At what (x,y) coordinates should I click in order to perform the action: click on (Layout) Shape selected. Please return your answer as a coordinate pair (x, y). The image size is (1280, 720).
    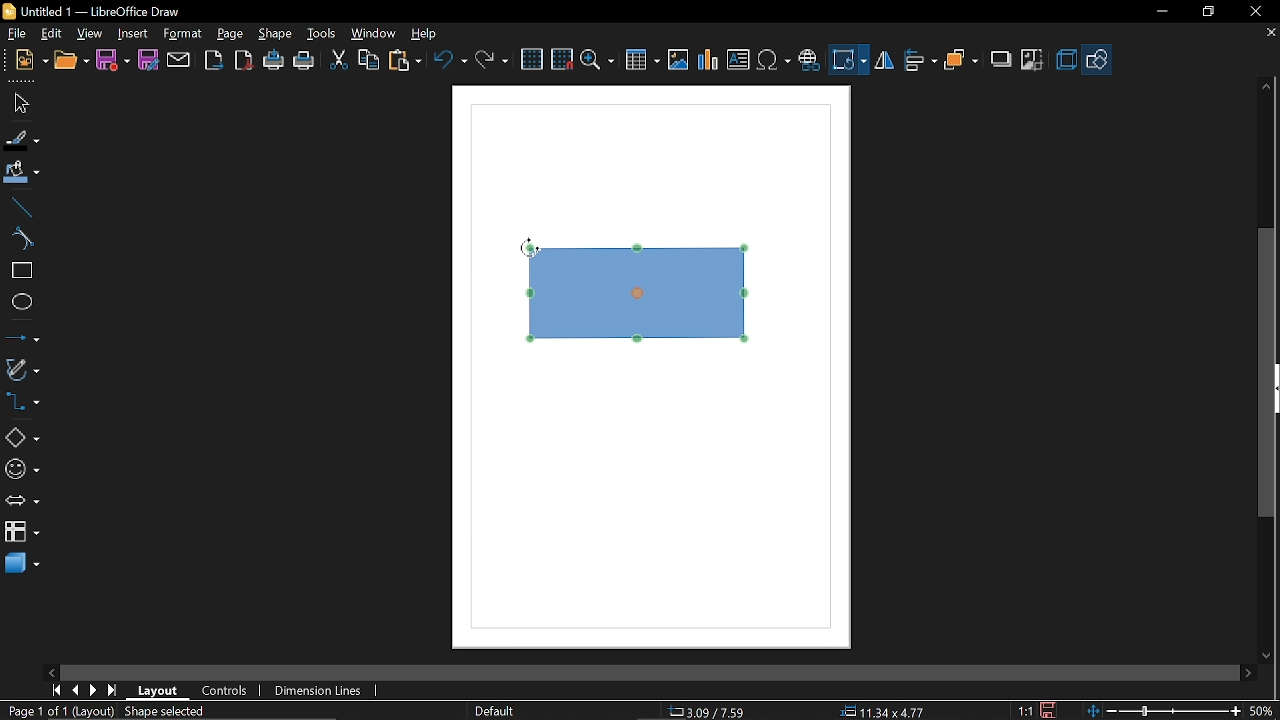
    Looking at the image, I should click on (145, 711).